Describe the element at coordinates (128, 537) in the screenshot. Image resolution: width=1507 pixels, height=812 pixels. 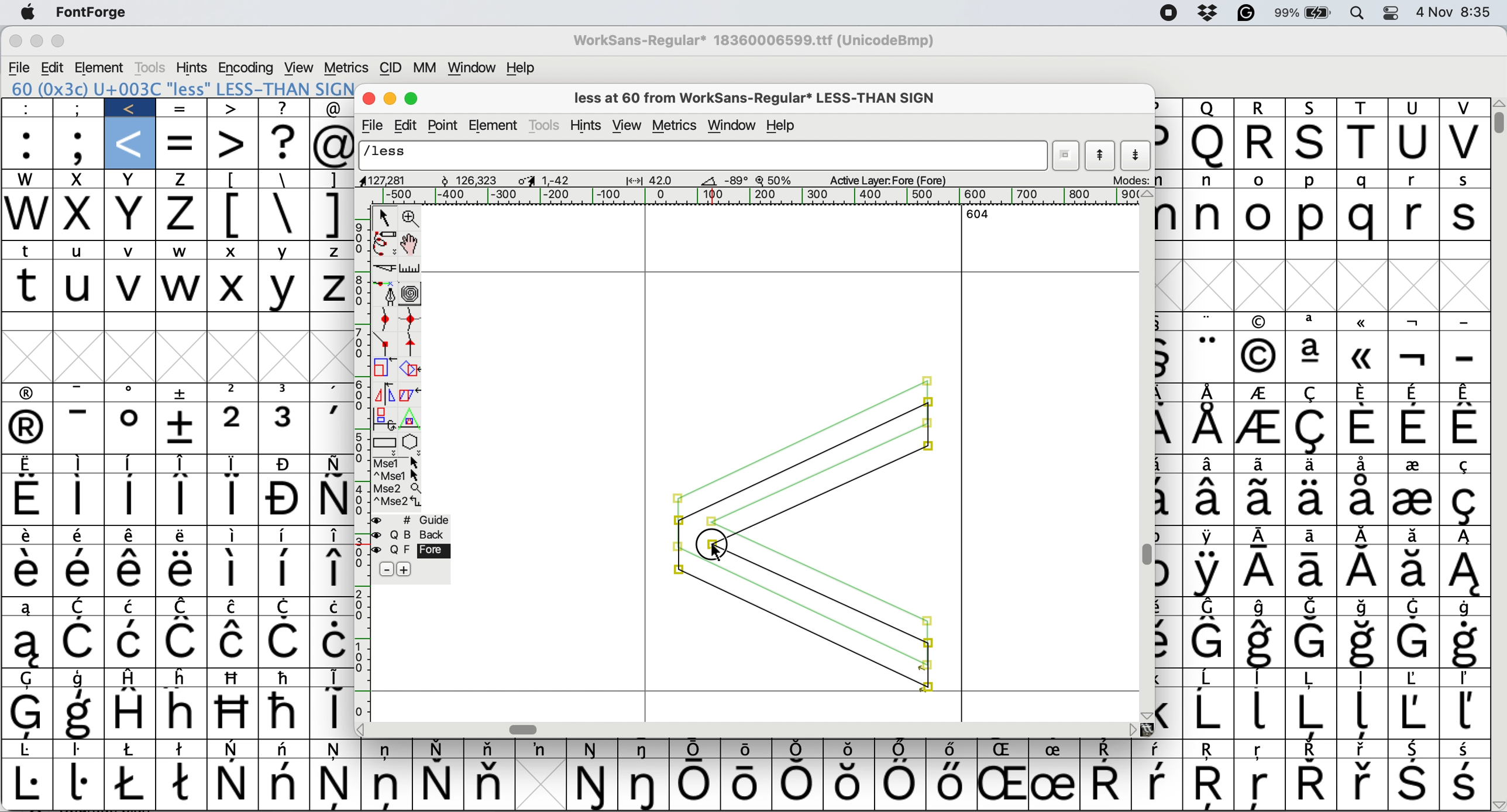
I see `Symbol` at that location.